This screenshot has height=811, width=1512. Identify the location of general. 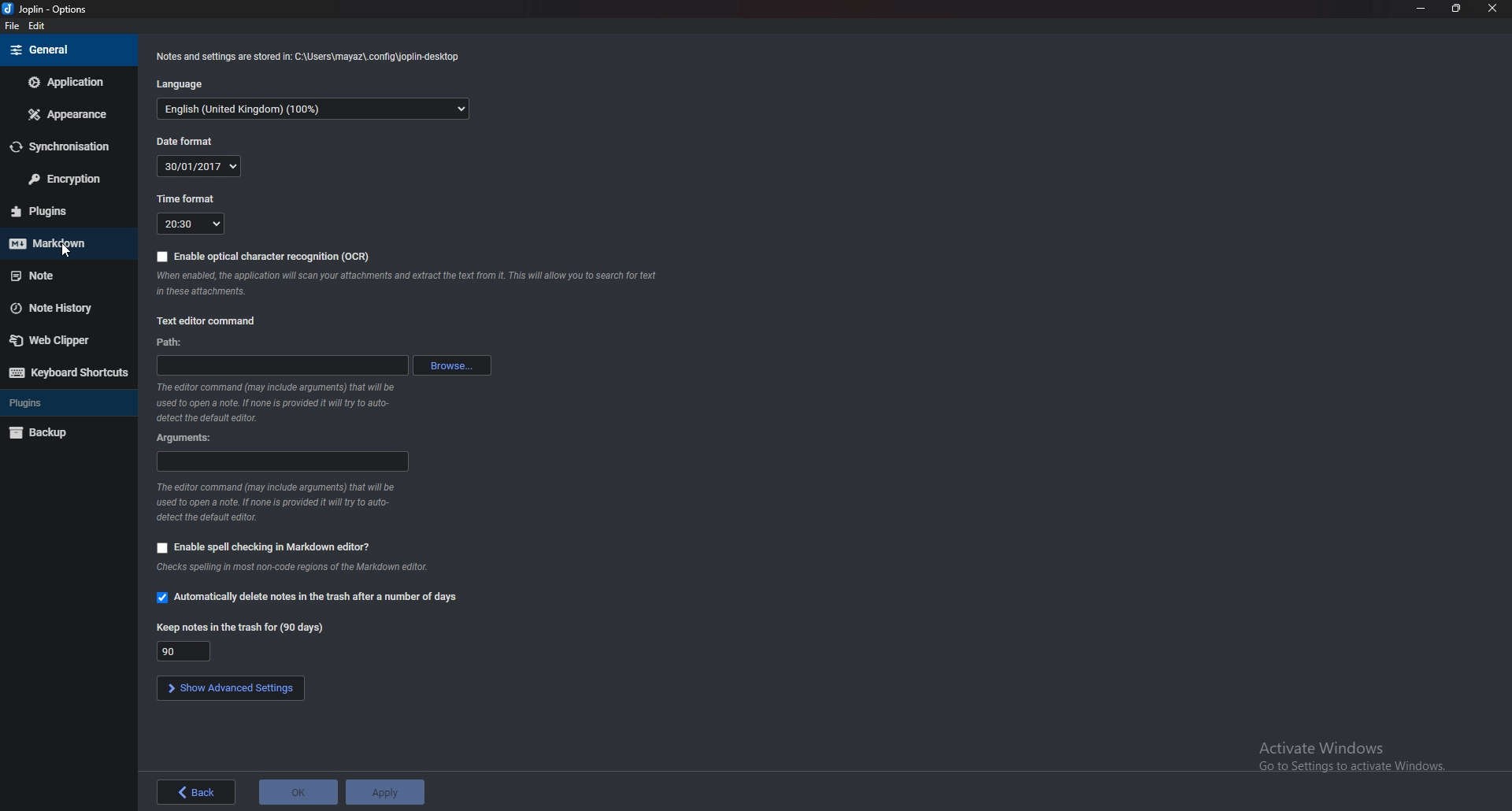
(63, 50).